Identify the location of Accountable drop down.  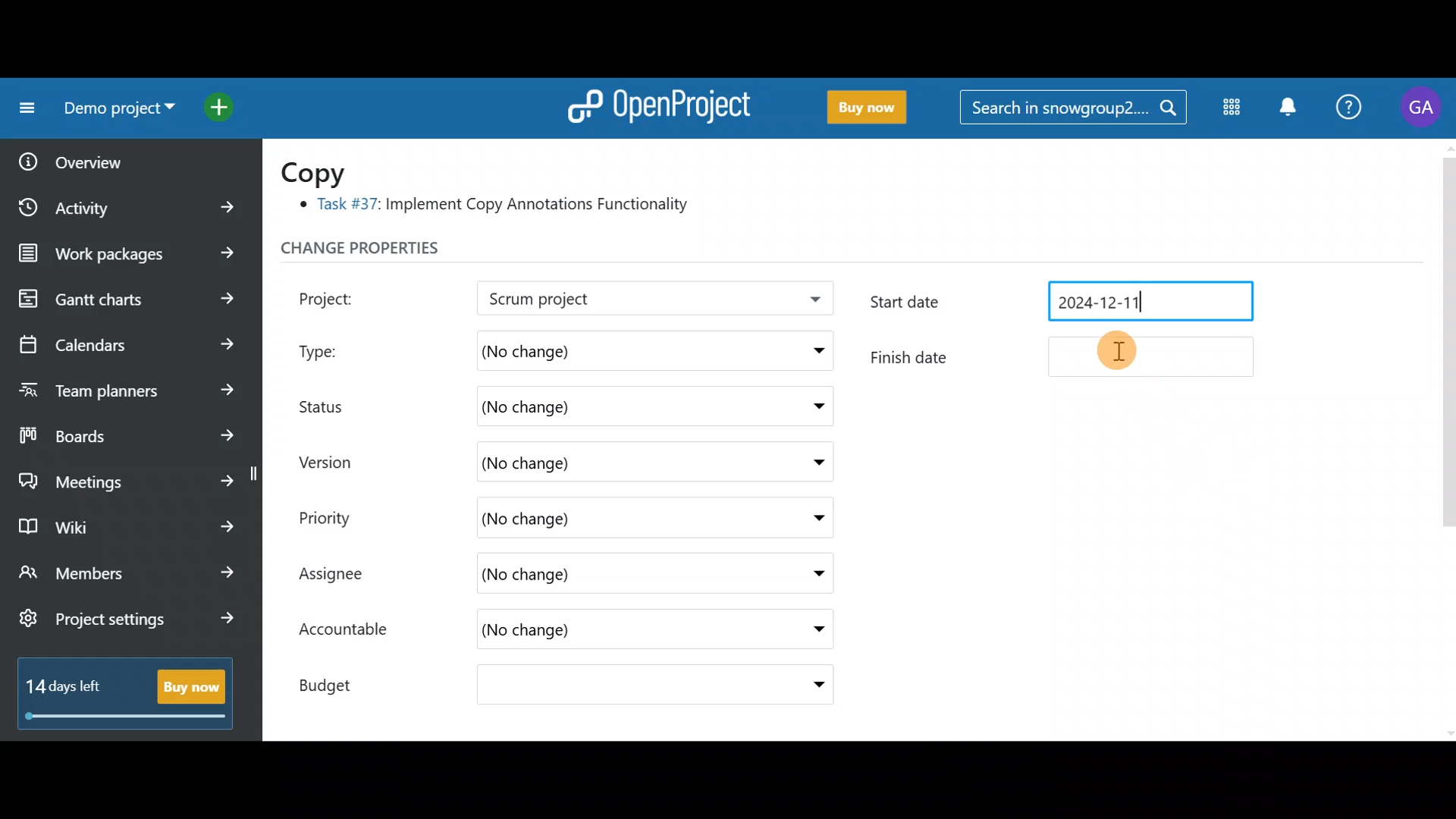
(811, 630).